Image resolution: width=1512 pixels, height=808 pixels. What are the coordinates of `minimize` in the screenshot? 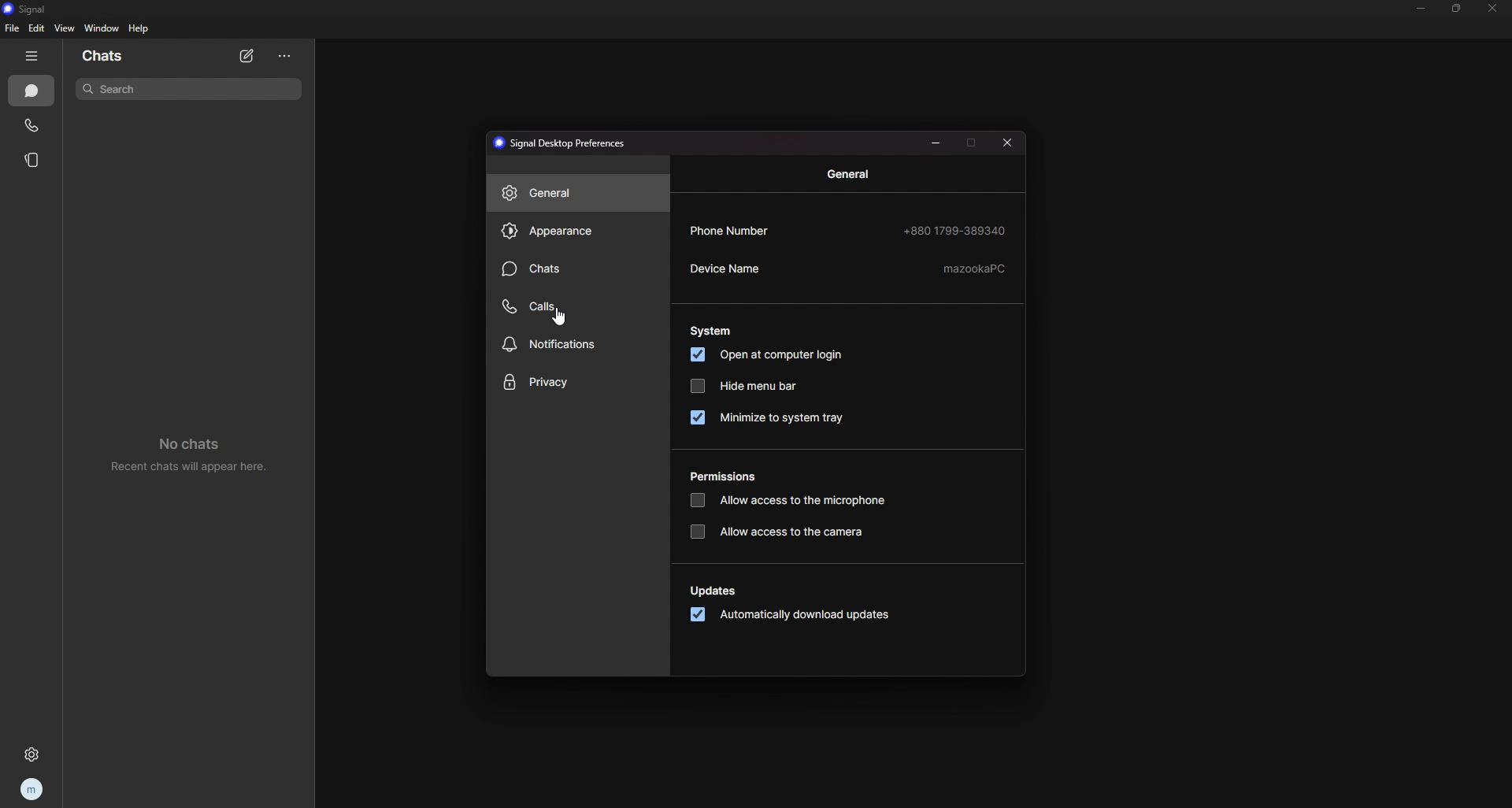 It's located at (1422, 8).